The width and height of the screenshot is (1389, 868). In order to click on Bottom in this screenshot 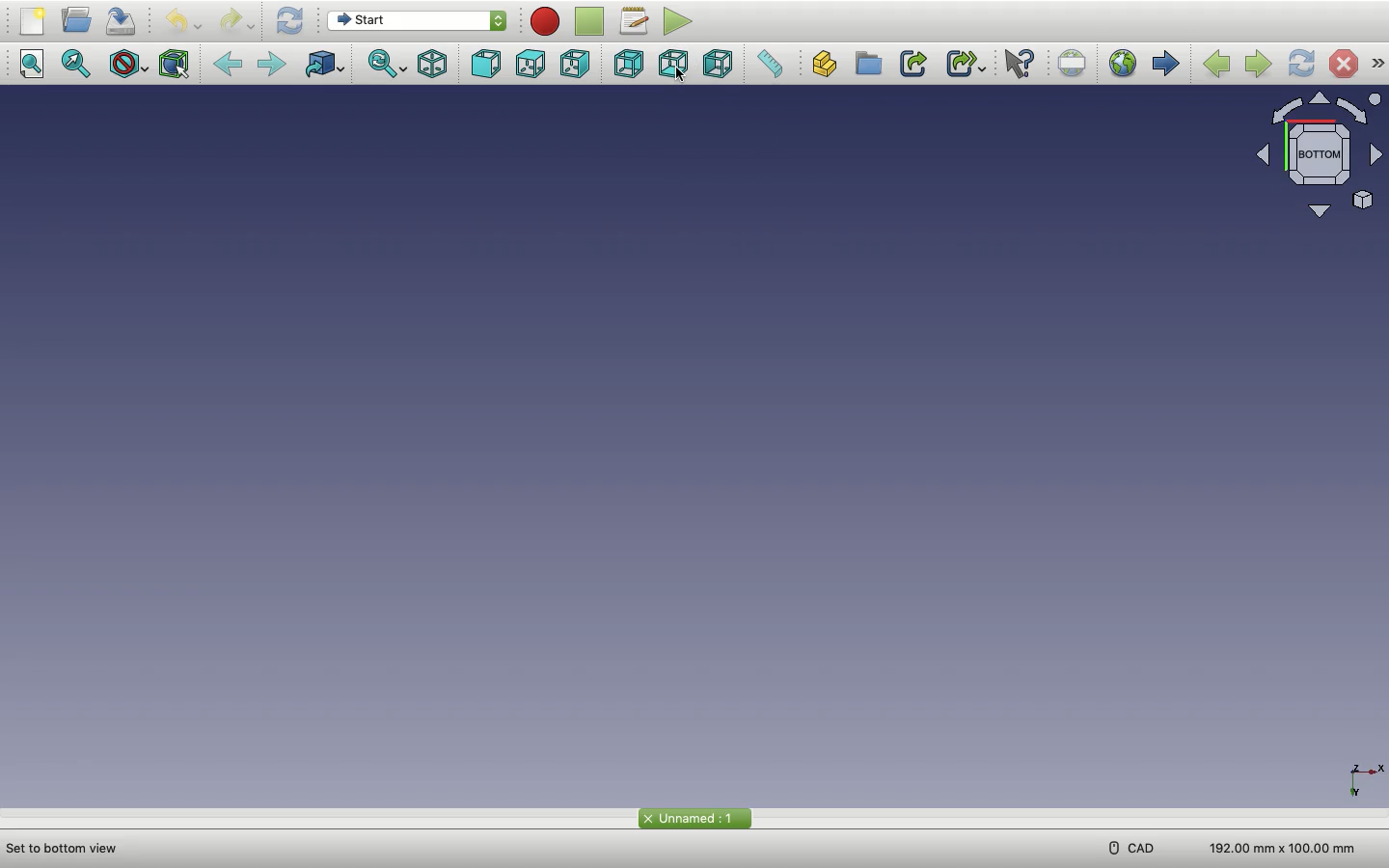, I will do `click(676, 66)`.